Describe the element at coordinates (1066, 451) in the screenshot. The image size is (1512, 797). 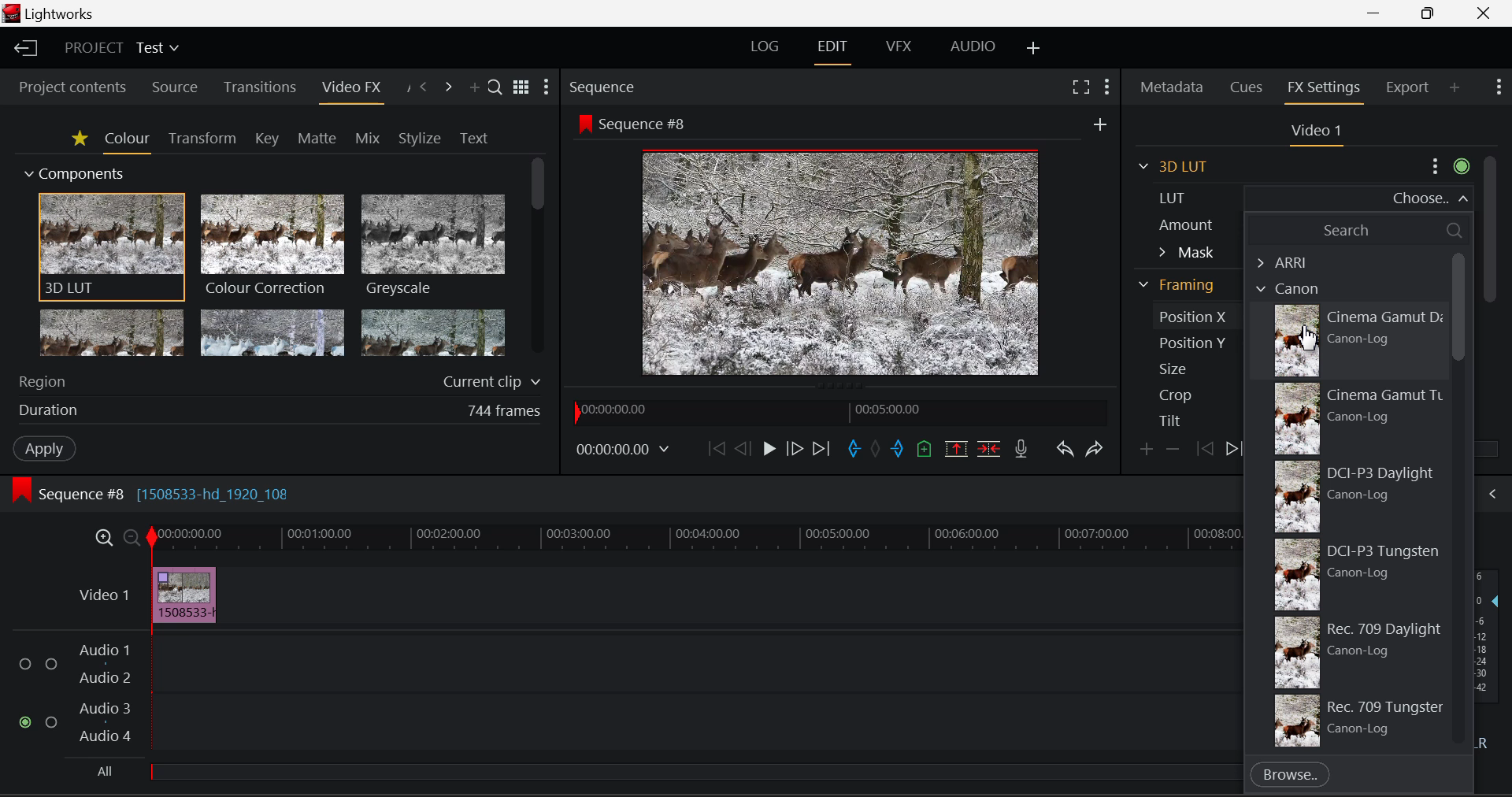
I see `Undo` at that location.